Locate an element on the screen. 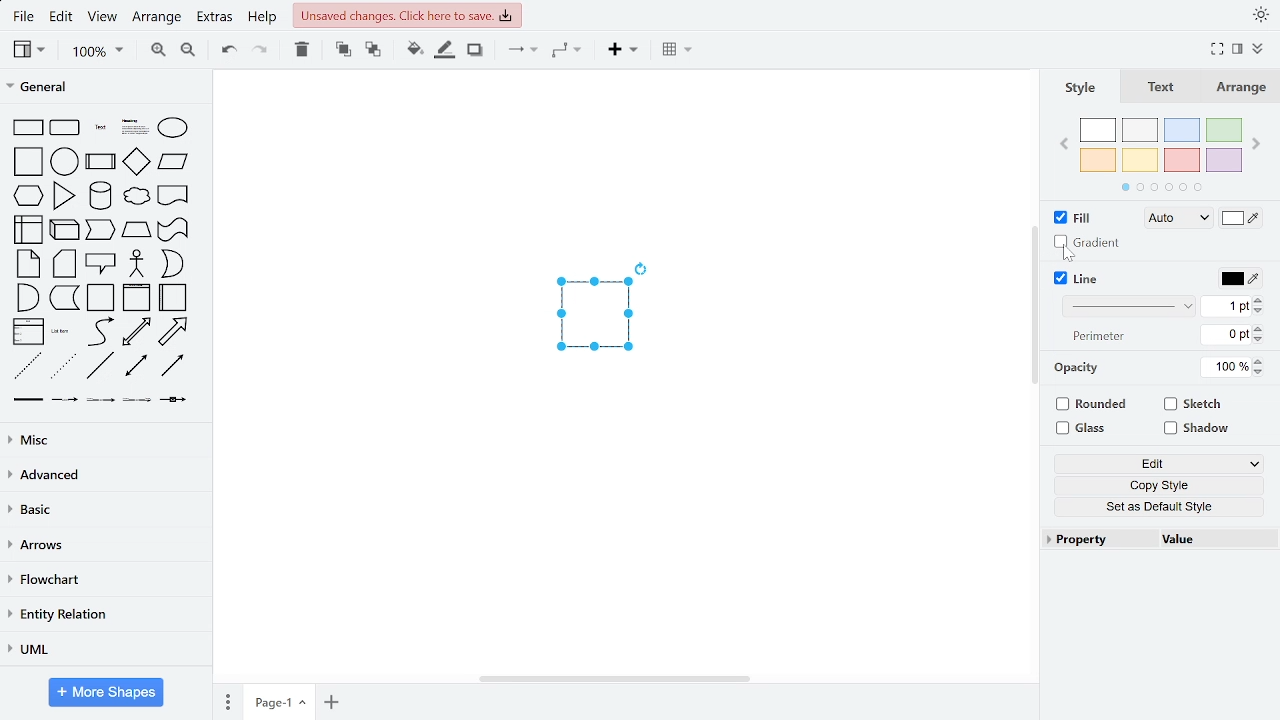 The height and width of the screenshot is (720, 1280). fill  is located at coordinates (1078, 219).